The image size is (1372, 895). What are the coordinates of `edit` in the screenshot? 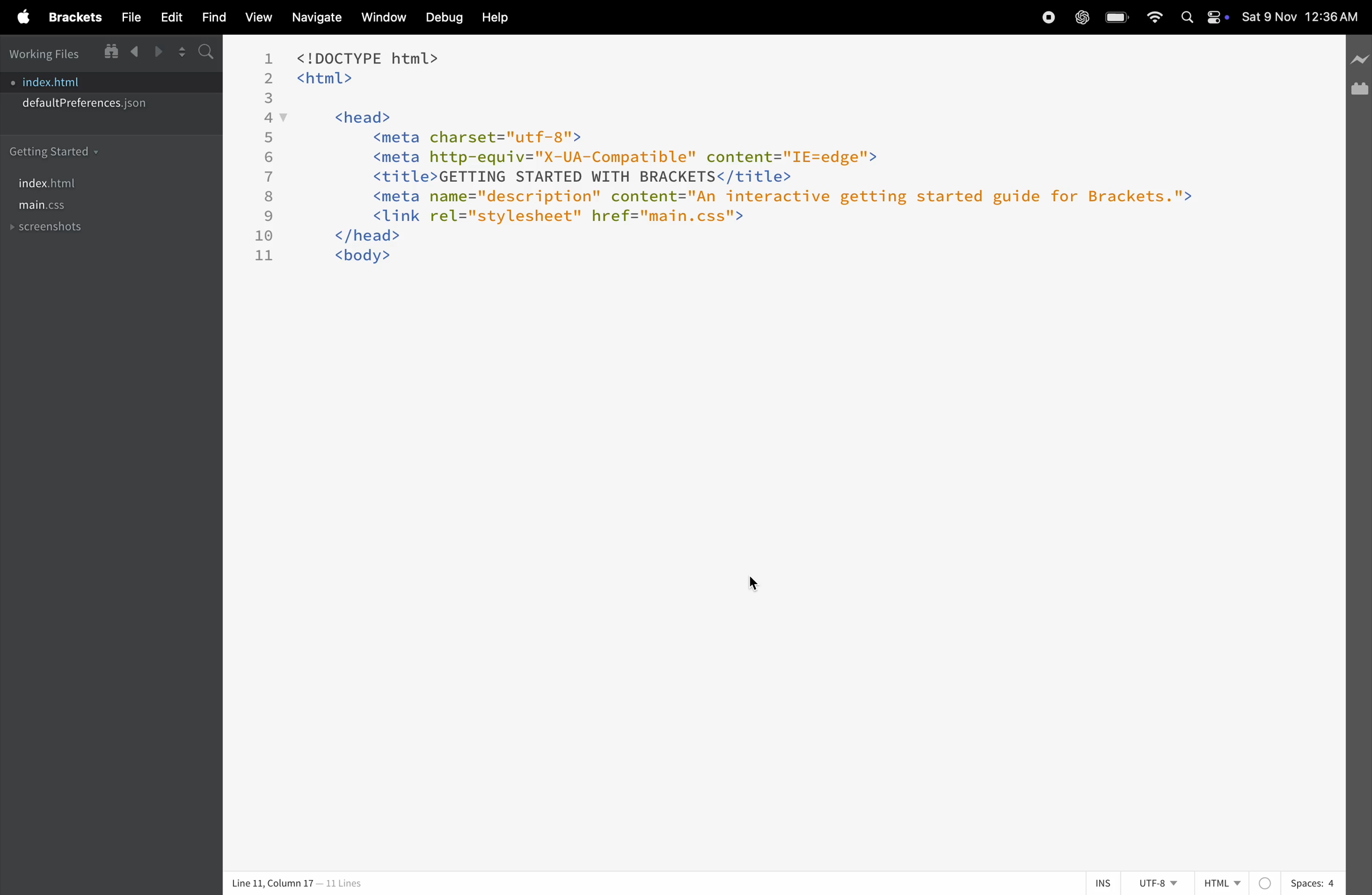 It's located at (170, 17).